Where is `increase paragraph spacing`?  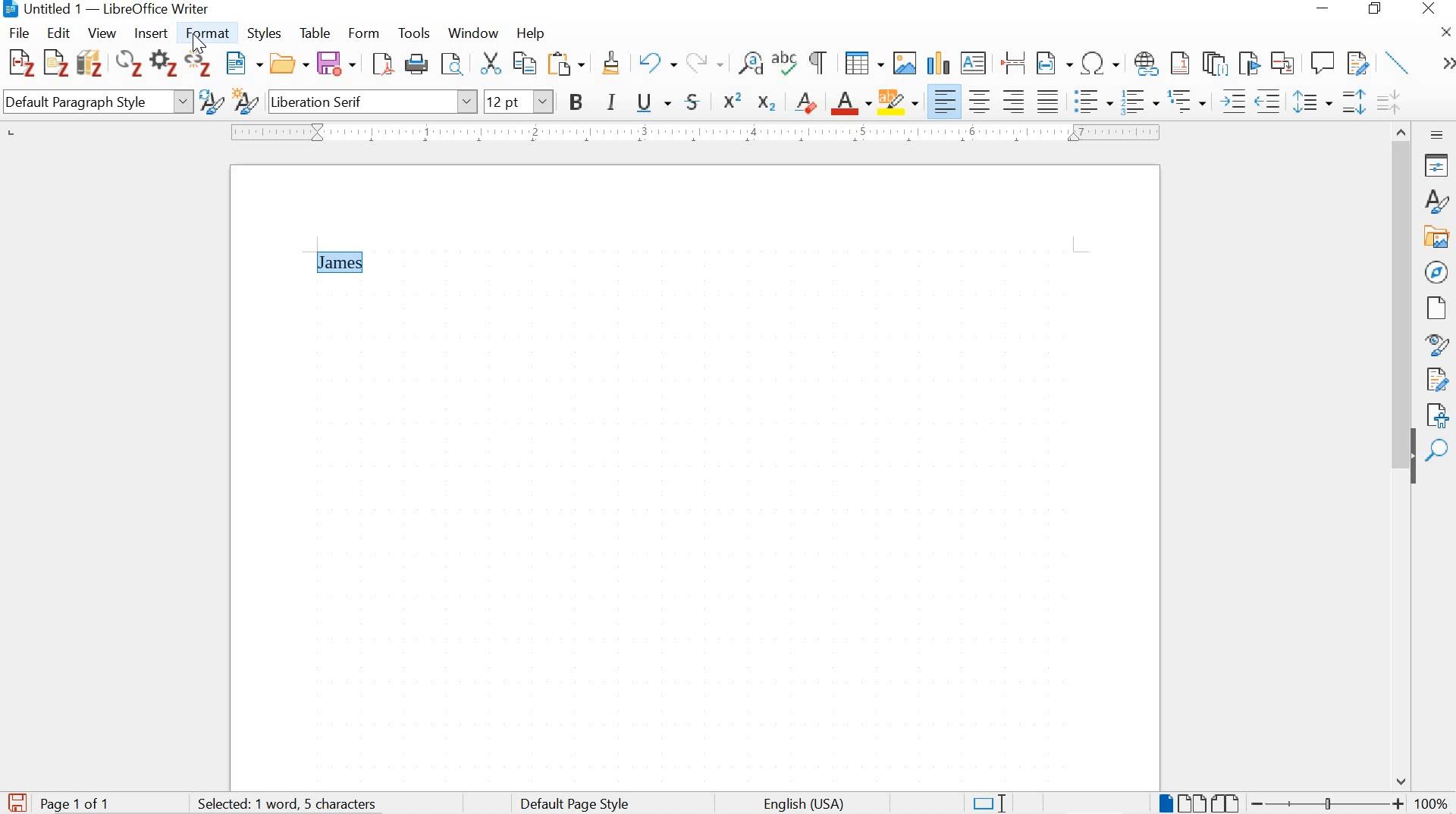 increase paragraph spacing is located at coordinates (1353, 104).